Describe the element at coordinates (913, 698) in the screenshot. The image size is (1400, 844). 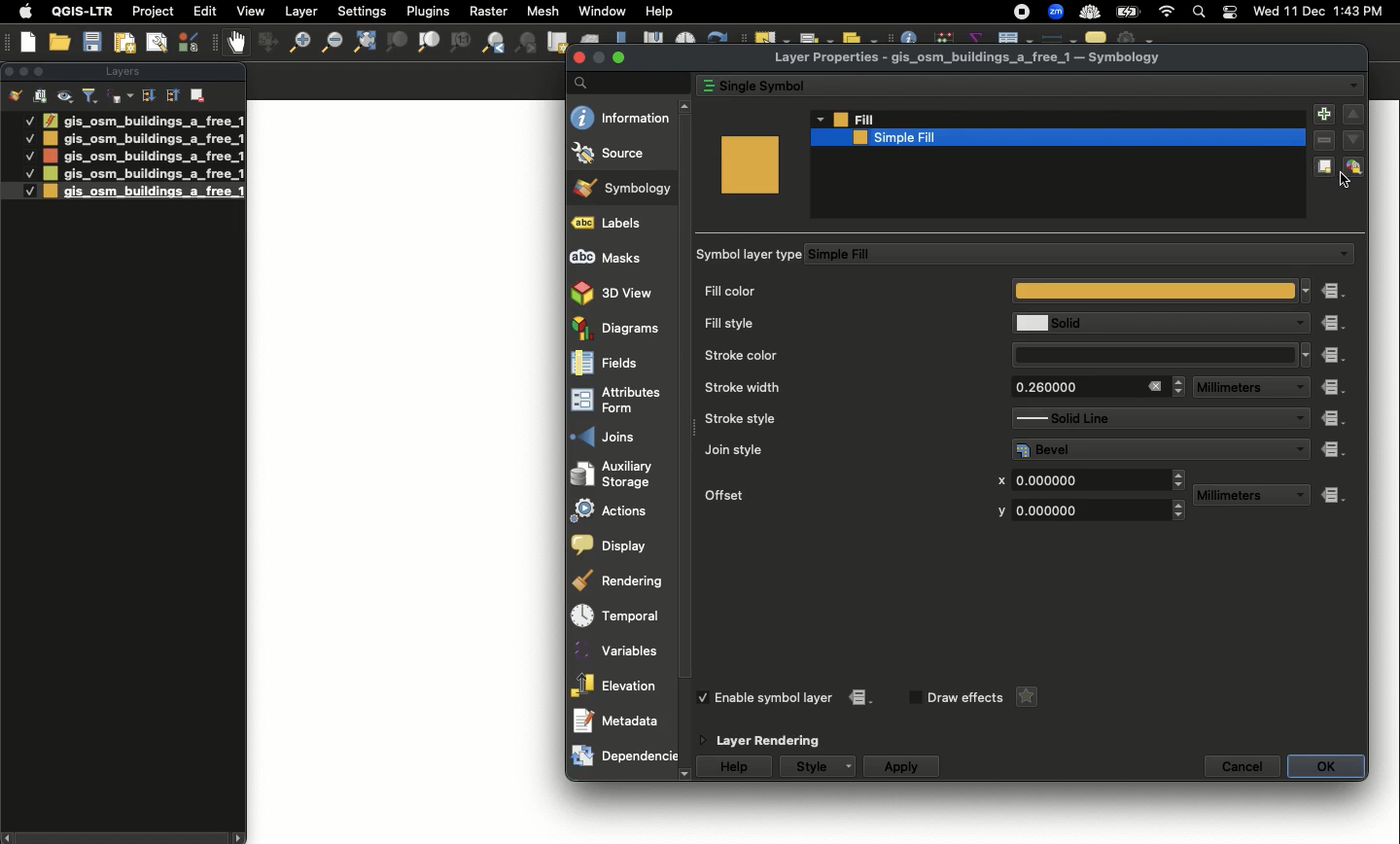
I see `nchecked` at that location.